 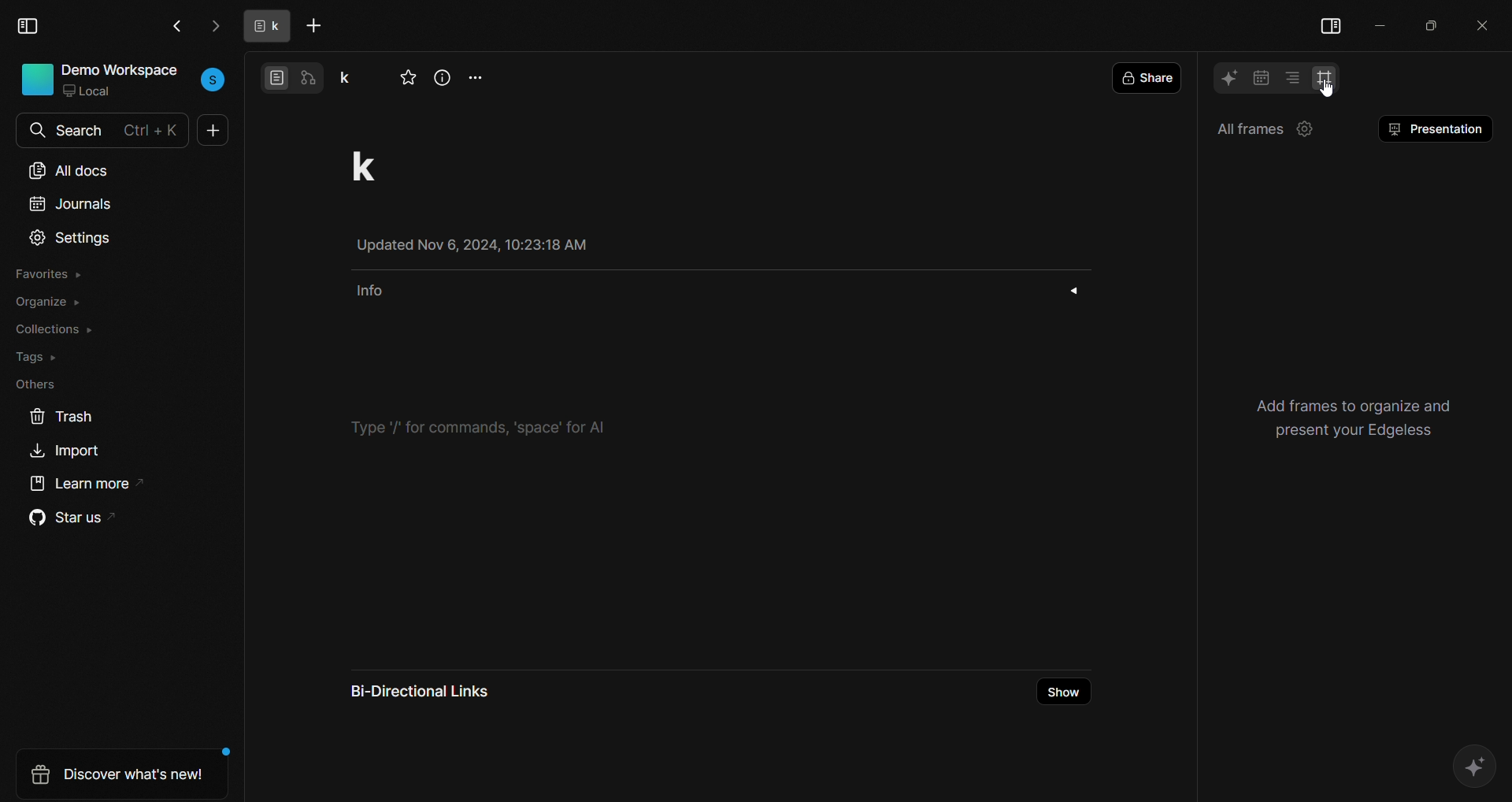 What do you see at coordinates (443, 78) in the screenshot?
I see `view info` at bounding box center [443, 78].